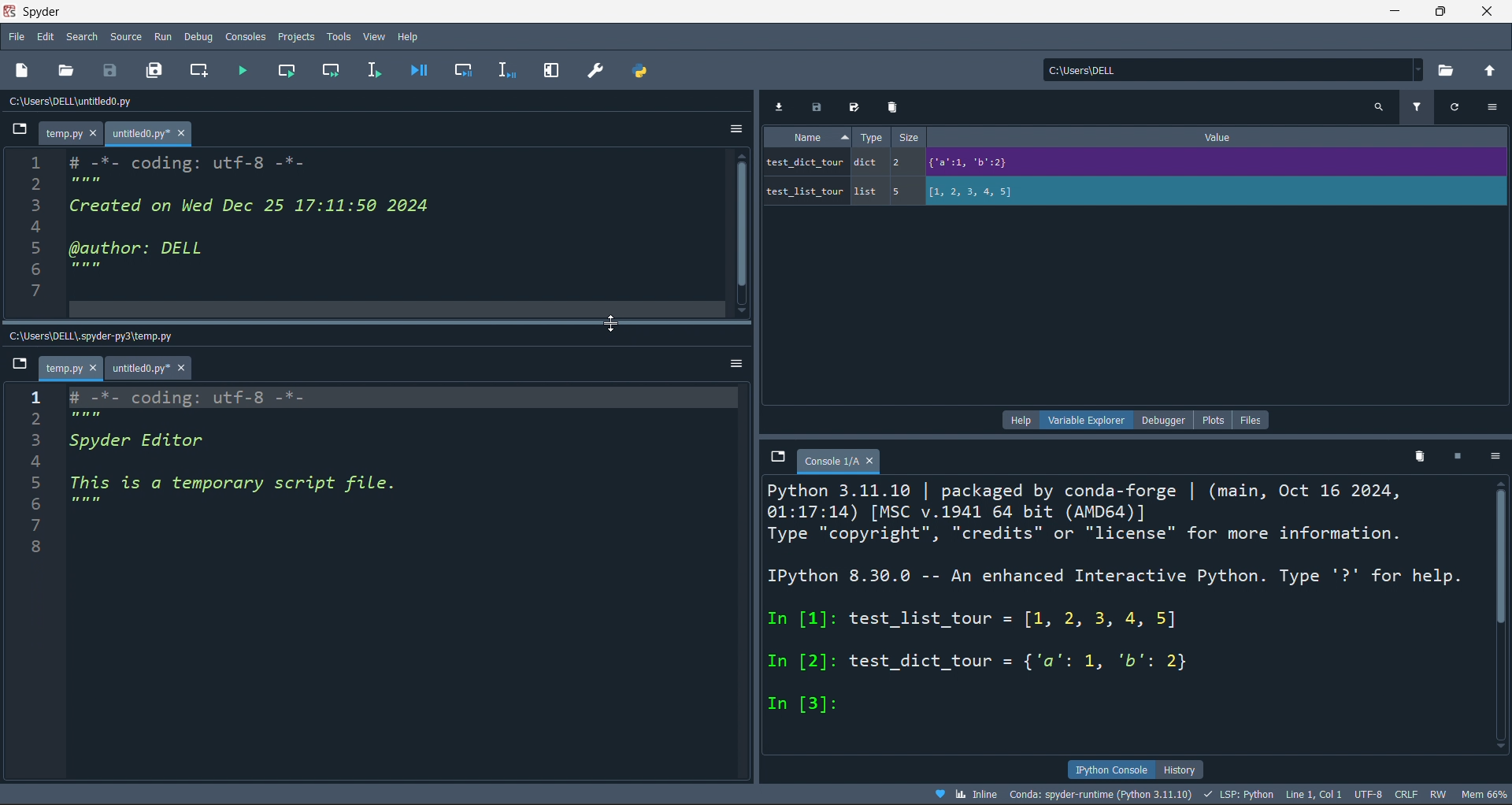 The image size is (1512, 805). I want to click on files, so click(1254, 417).